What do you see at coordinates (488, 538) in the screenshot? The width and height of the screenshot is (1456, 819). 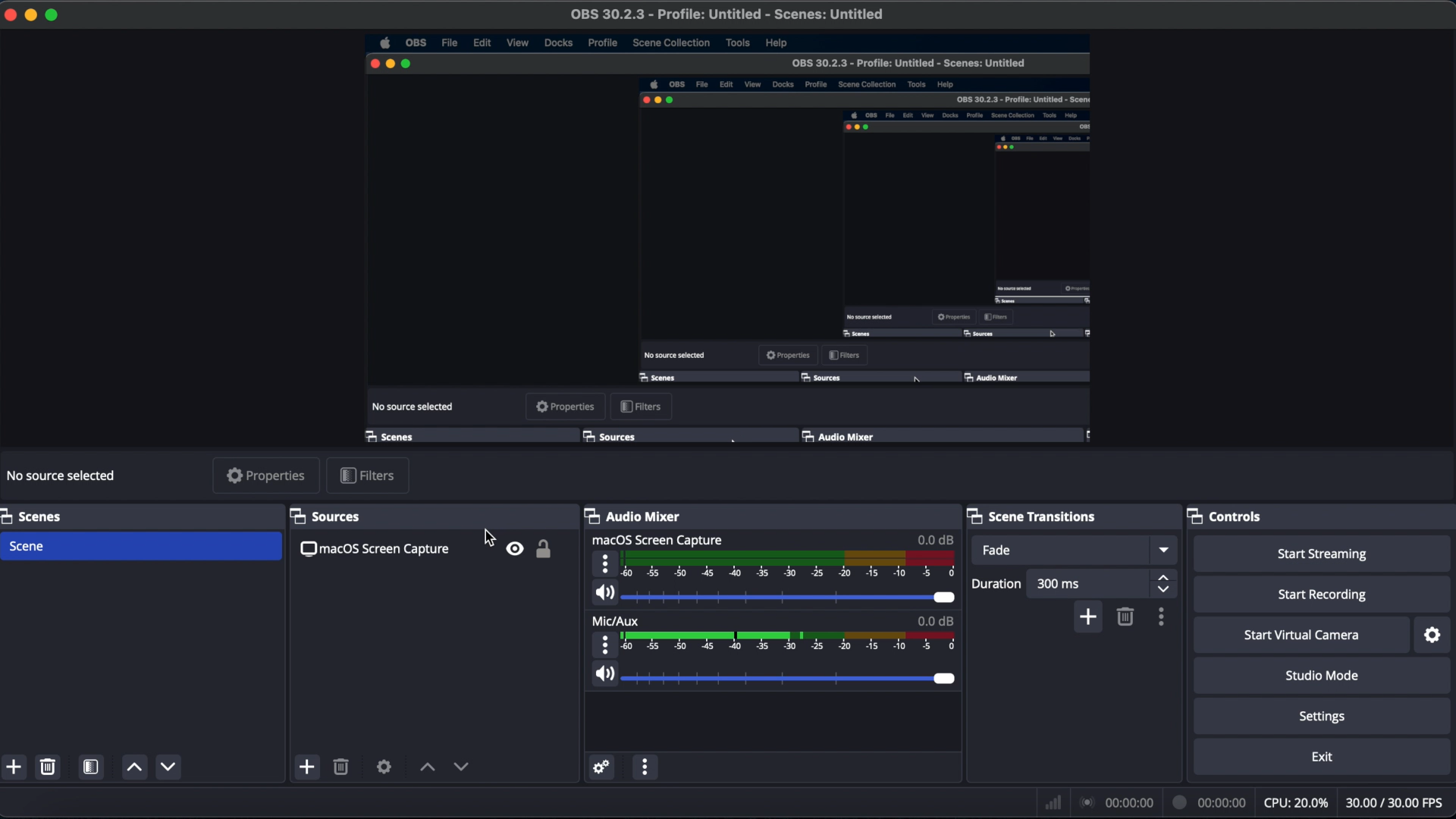 I see `cursor` at bounding box center [488, 538].